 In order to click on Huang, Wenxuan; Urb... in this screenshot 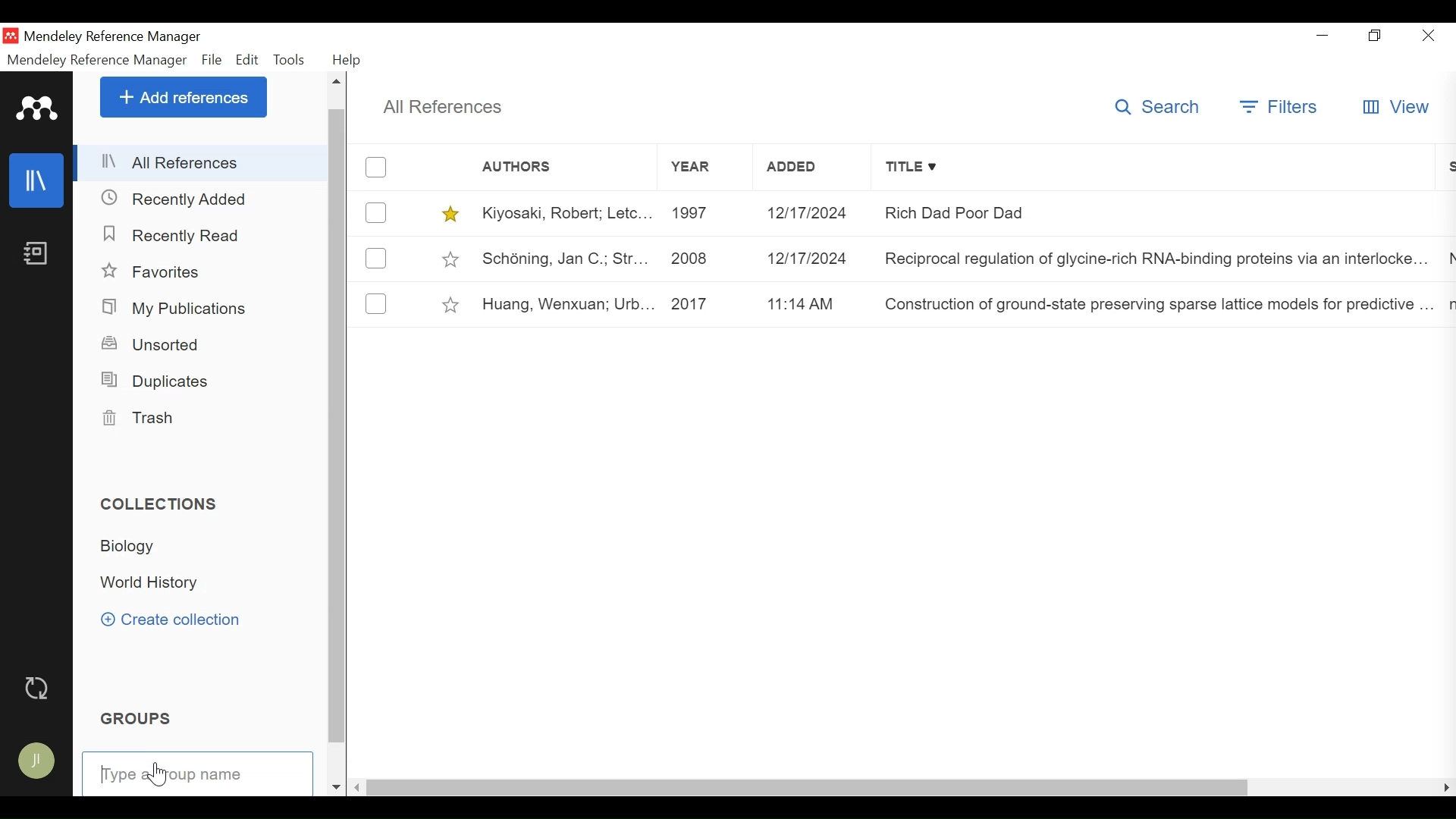, I will do `click(566, 303)`.